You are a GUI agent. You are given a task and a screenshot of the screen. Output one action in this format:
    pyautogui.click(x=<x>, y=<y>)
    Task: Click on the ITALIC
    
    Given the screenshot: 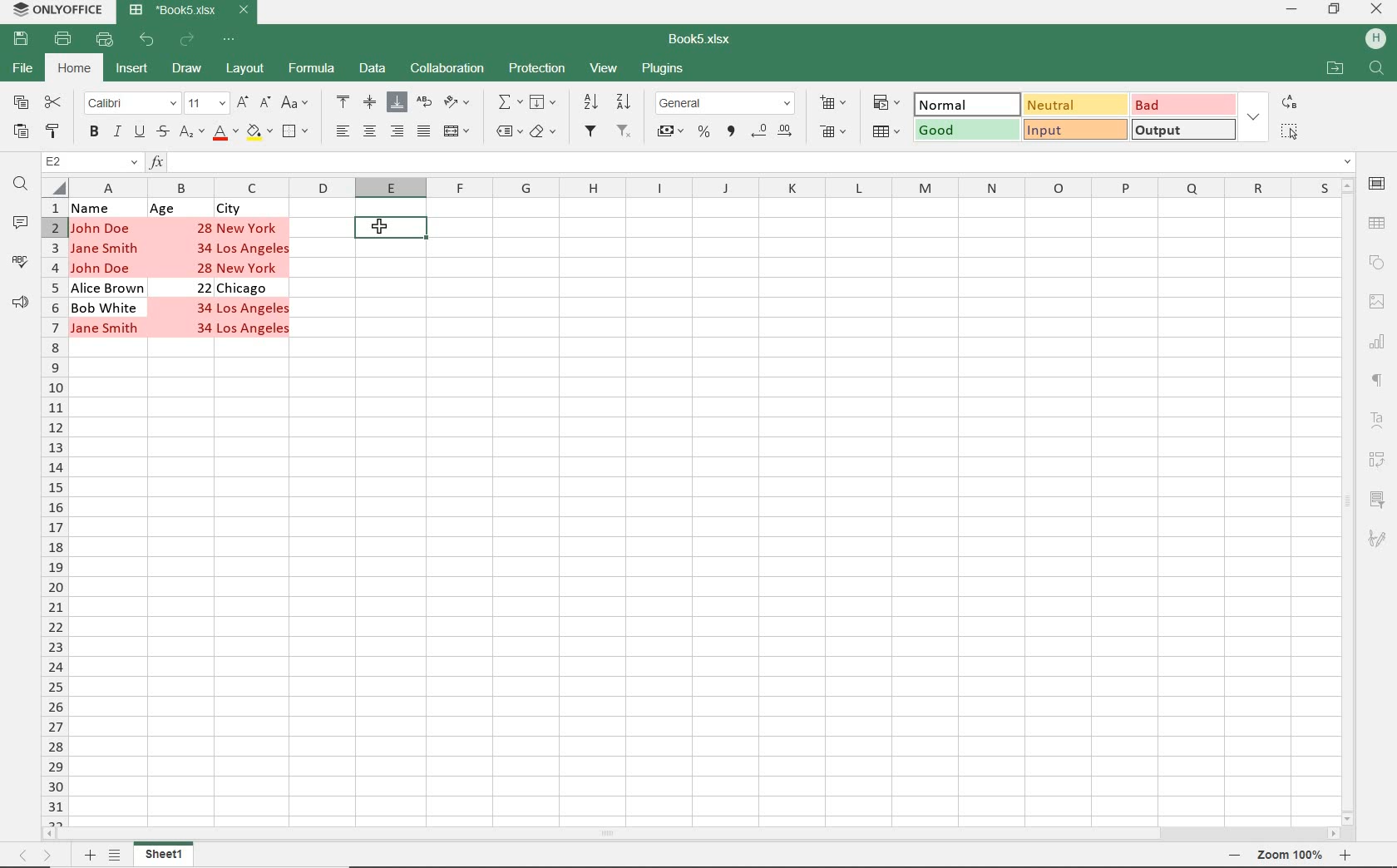 What is the action you would take?
    pyautogui.click(x=117, y=133)
    